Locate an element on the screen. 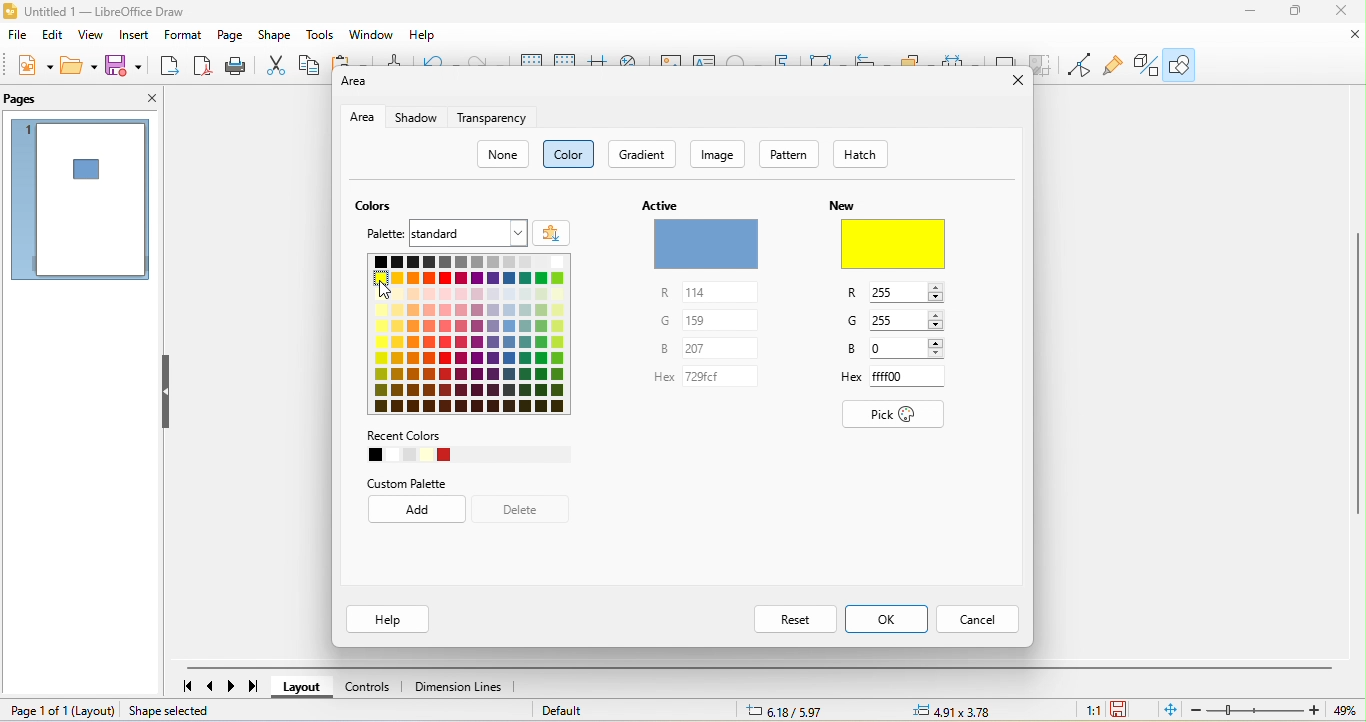 The image size is (1366, 722). area is located at coordinates (356, 85).